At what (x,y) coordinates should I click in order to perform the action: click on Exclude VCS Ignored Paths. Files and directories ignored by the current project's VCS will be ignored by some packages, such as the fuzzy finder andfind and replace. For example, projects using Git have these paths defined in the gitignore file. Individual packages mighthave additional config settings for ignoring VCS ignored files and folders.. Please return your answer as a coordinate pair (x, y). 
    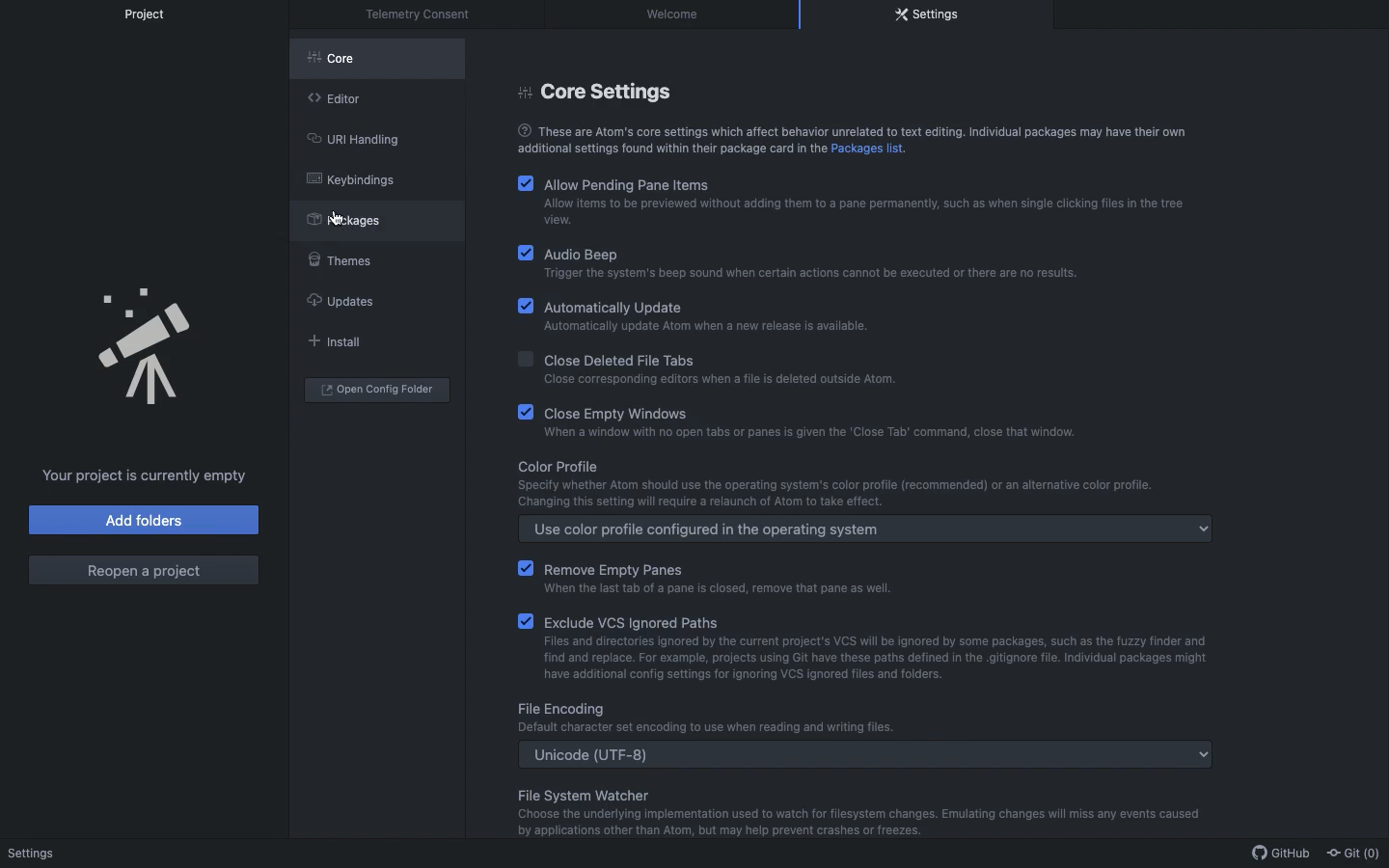
    Looking at the image, I should click on (879, 647).